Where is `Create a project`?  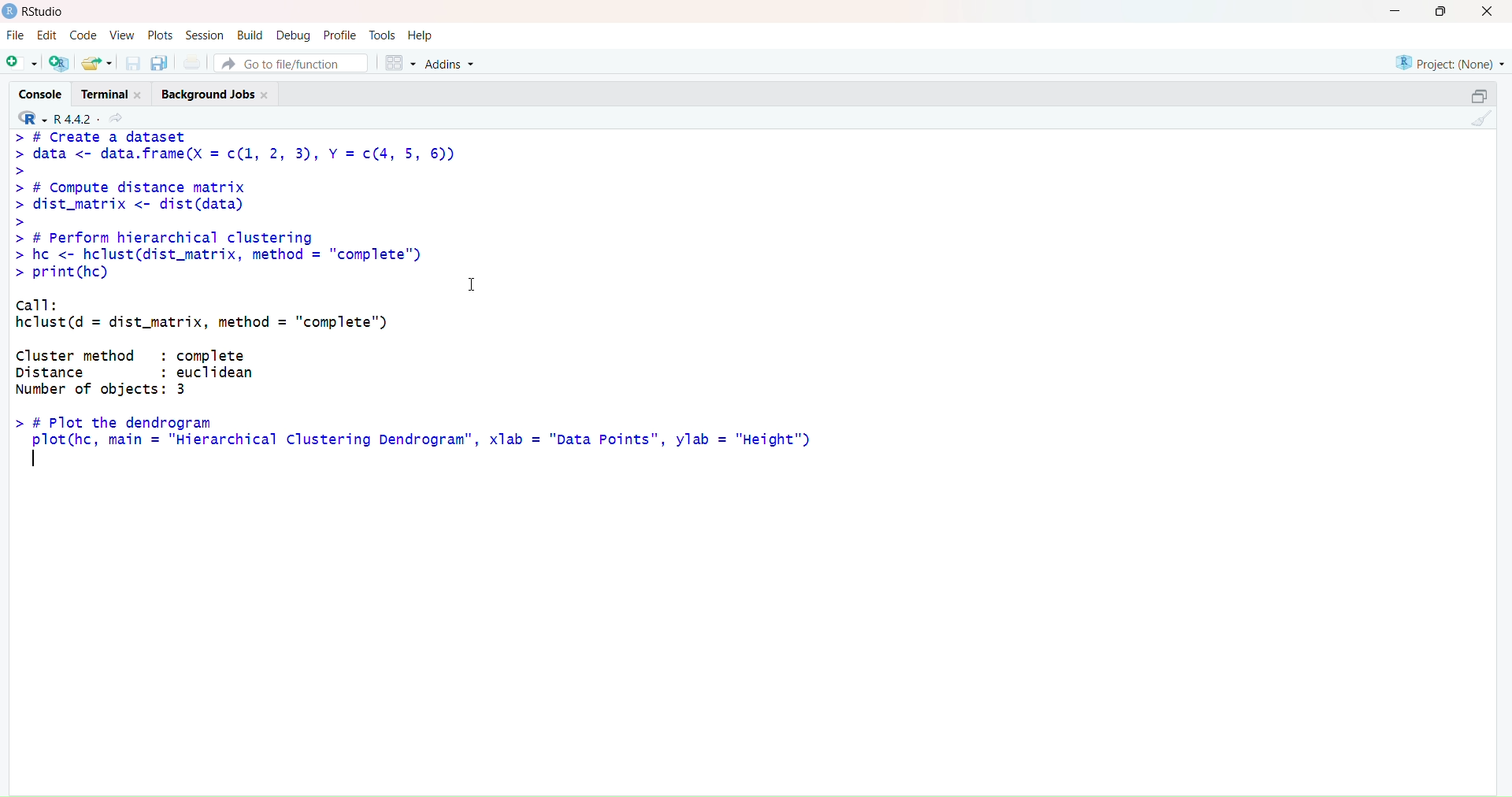 Create a project is located at coordinates (61, 61).